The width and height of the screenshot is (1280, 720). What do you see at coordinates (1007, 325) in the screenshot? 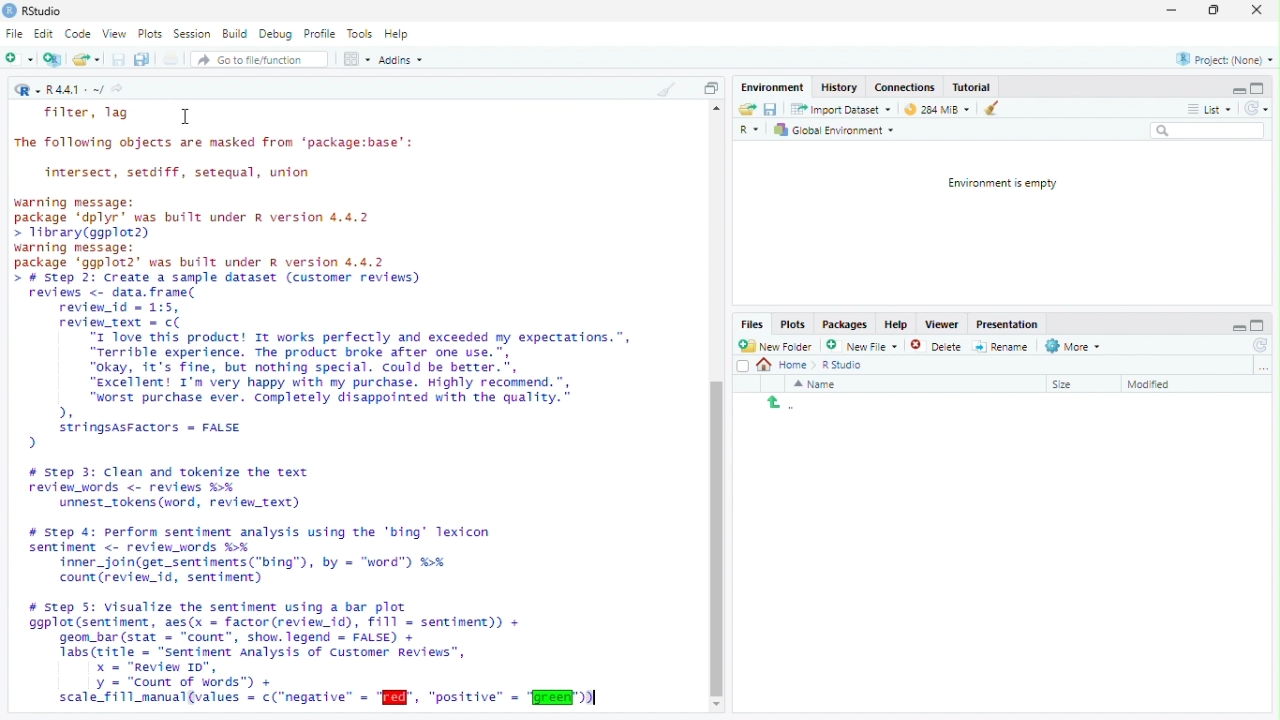
I see `Presentation` at bounding box center [1007, 325].